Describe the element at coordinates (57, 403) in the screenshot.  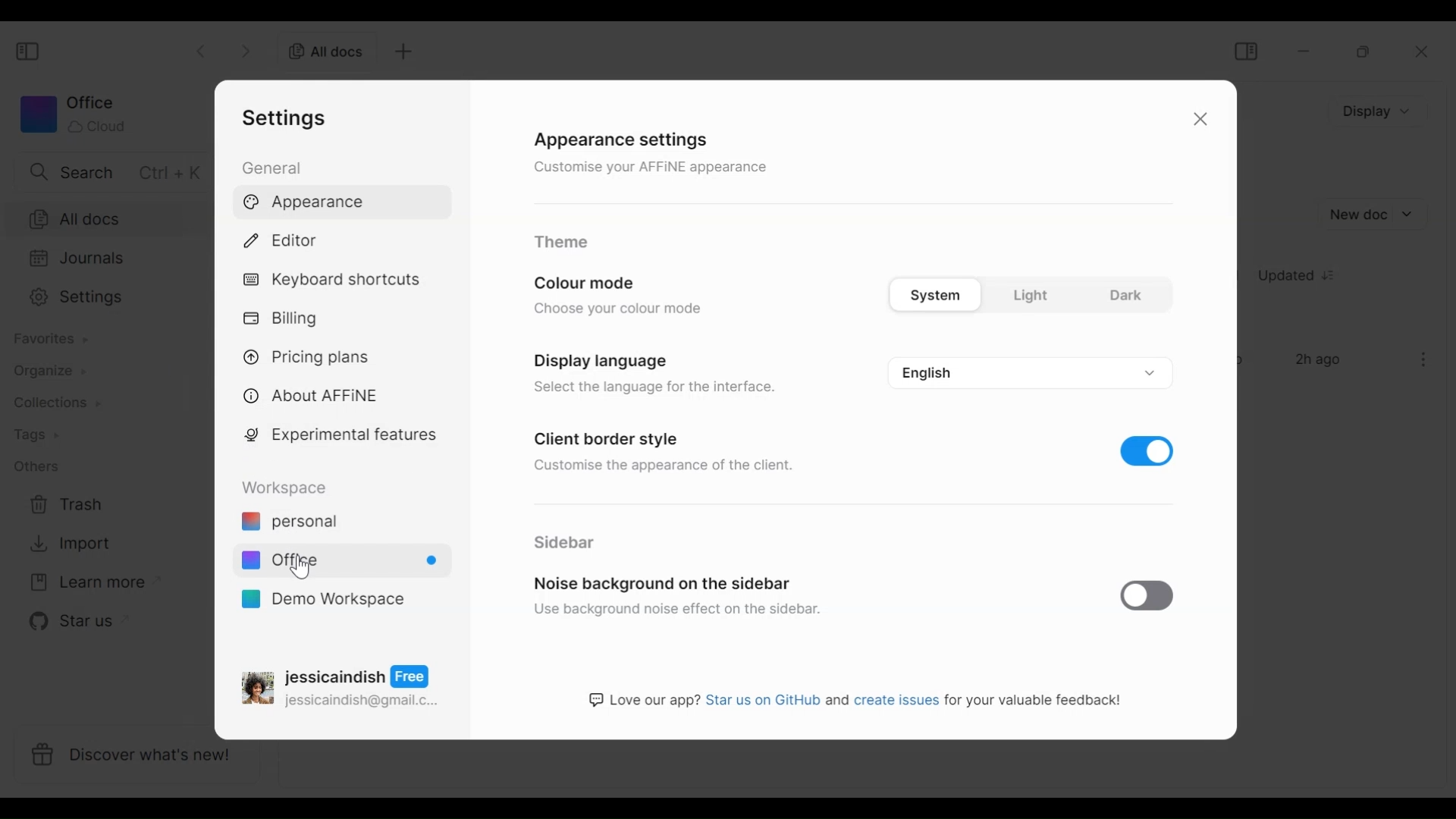
I see `collections` at that location.